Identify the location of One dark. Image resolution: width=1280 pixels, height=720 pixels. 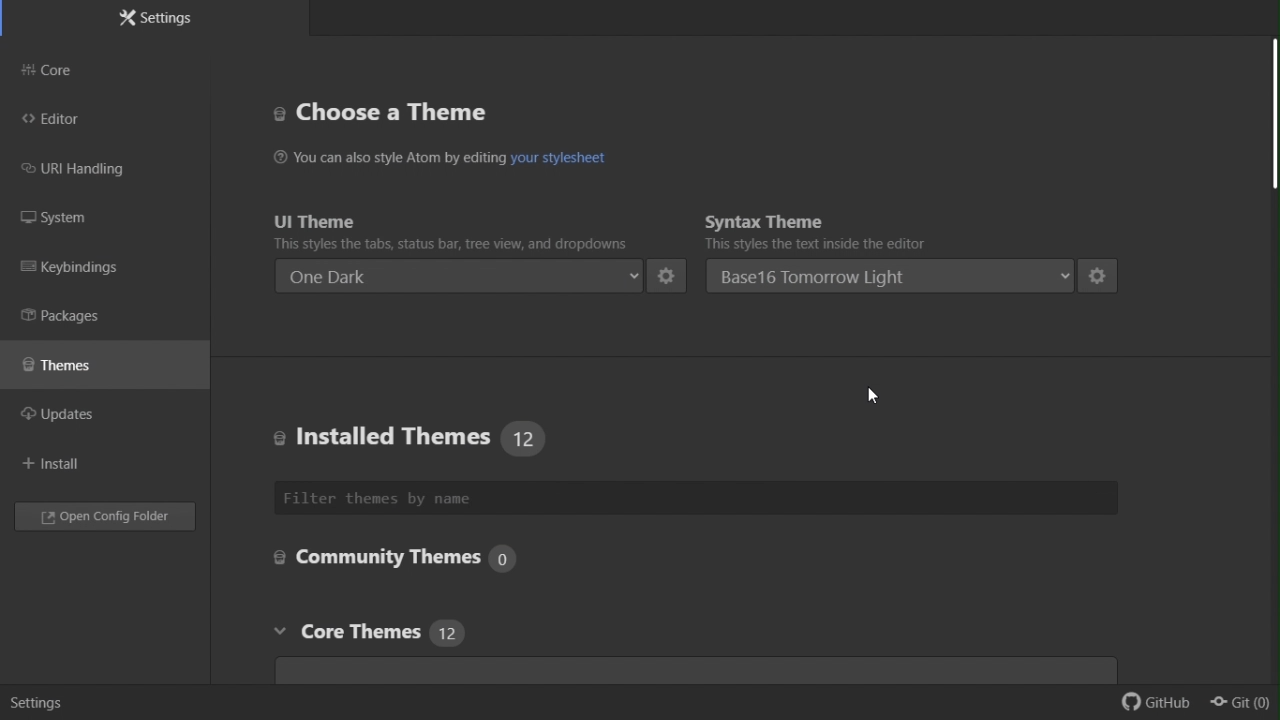
(462, 275).